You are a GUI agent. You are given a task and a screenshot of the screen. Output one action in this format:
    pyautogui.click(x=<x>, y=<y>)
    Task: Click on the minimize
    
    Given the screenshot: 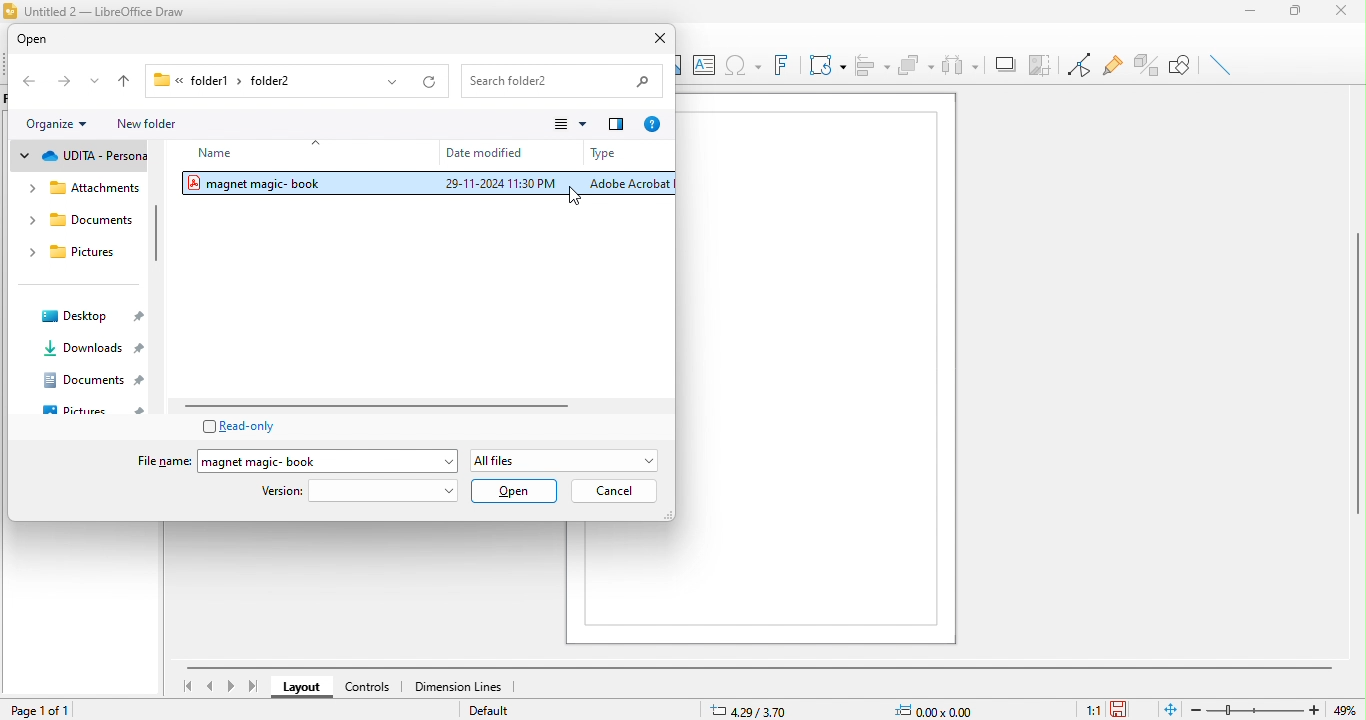 What is the action you would take?
    pyautogui.click(x=1247, y=12)
    